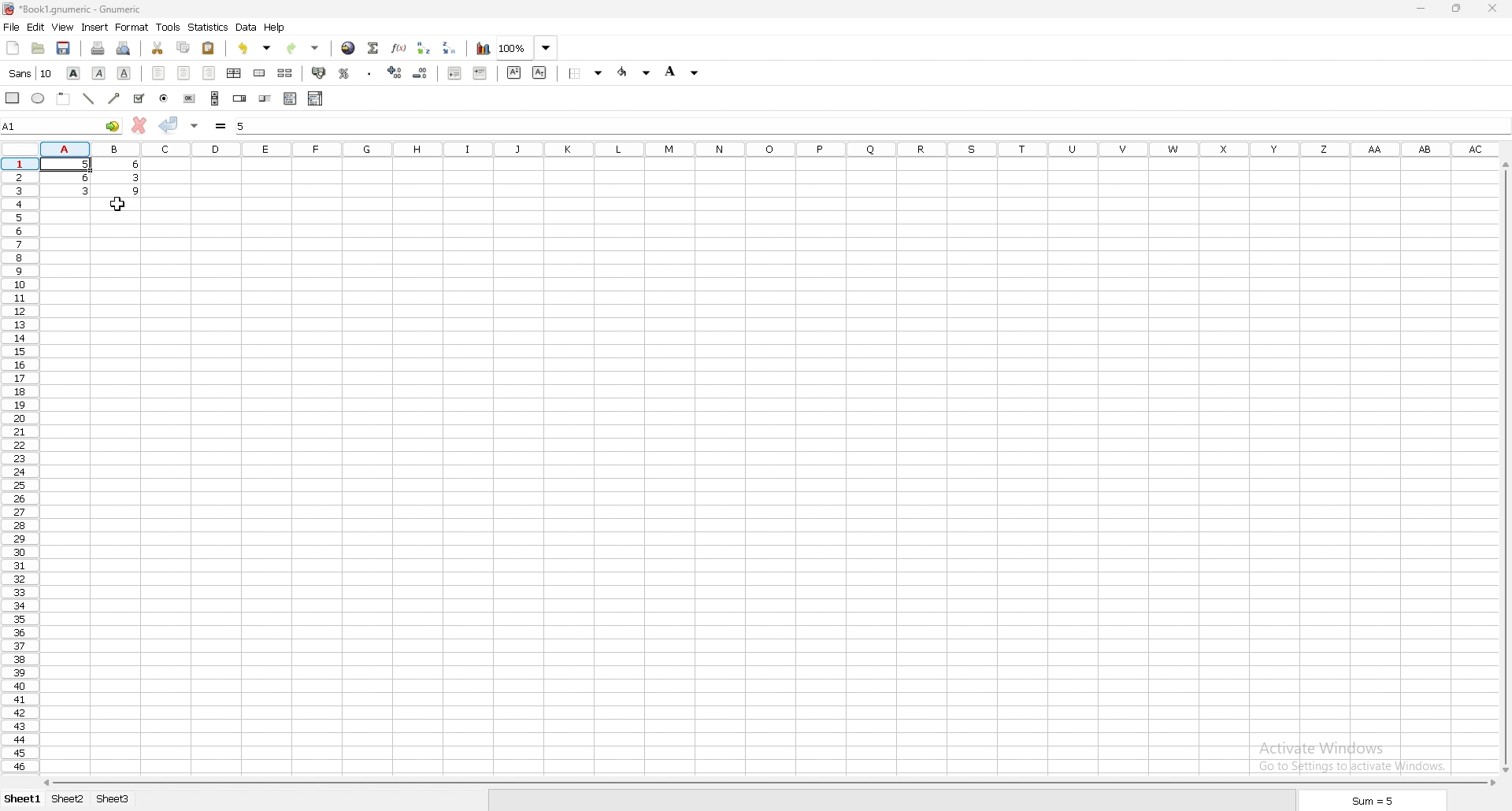 The width and height of the screenshot is (1512, 811). Describe the element at coordinates (158, 49) in the screenshot. I see `cut` at that location.